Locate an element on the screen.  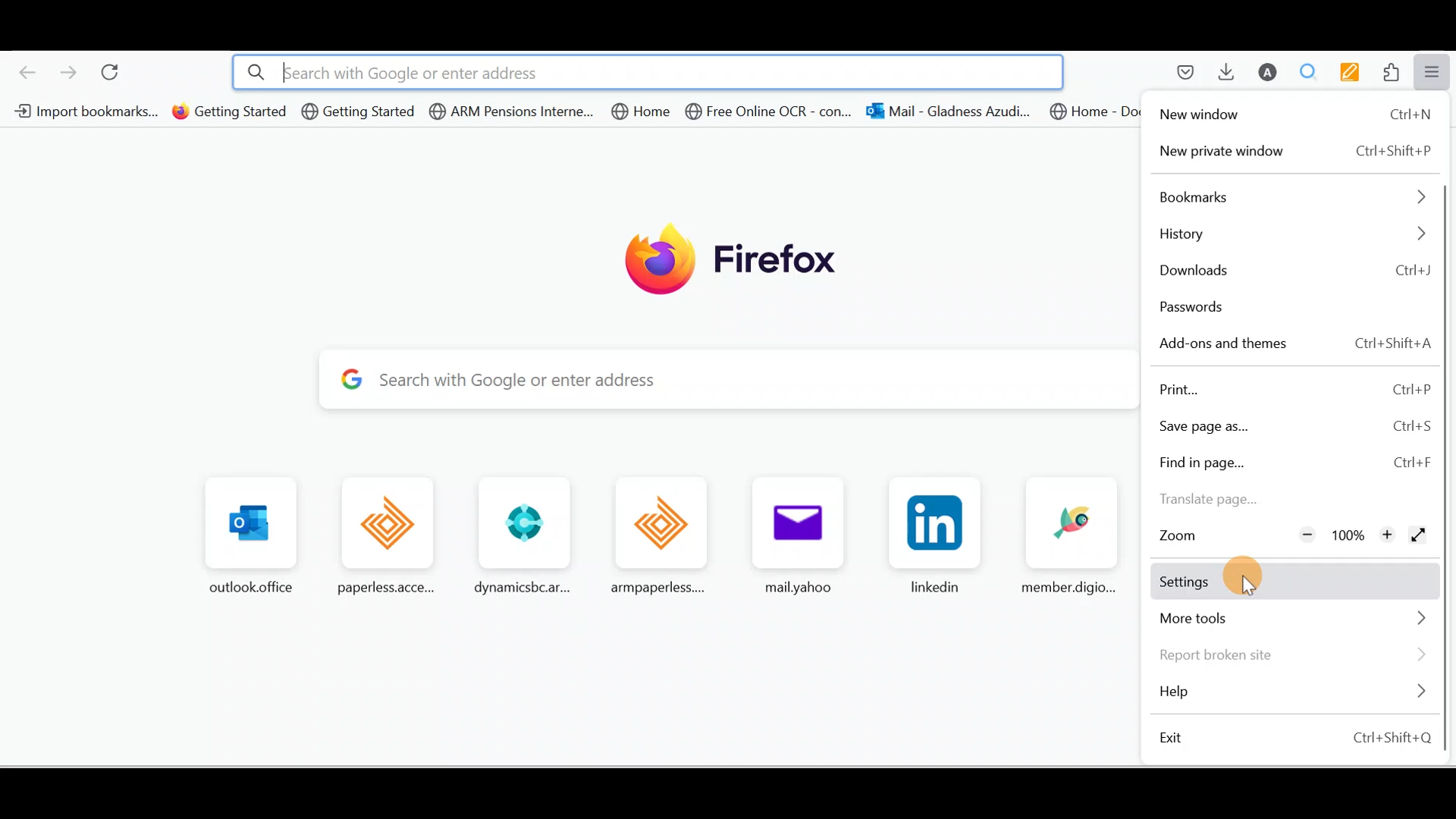
Multi keywords highlighter is located at coordinates (1345, 71).